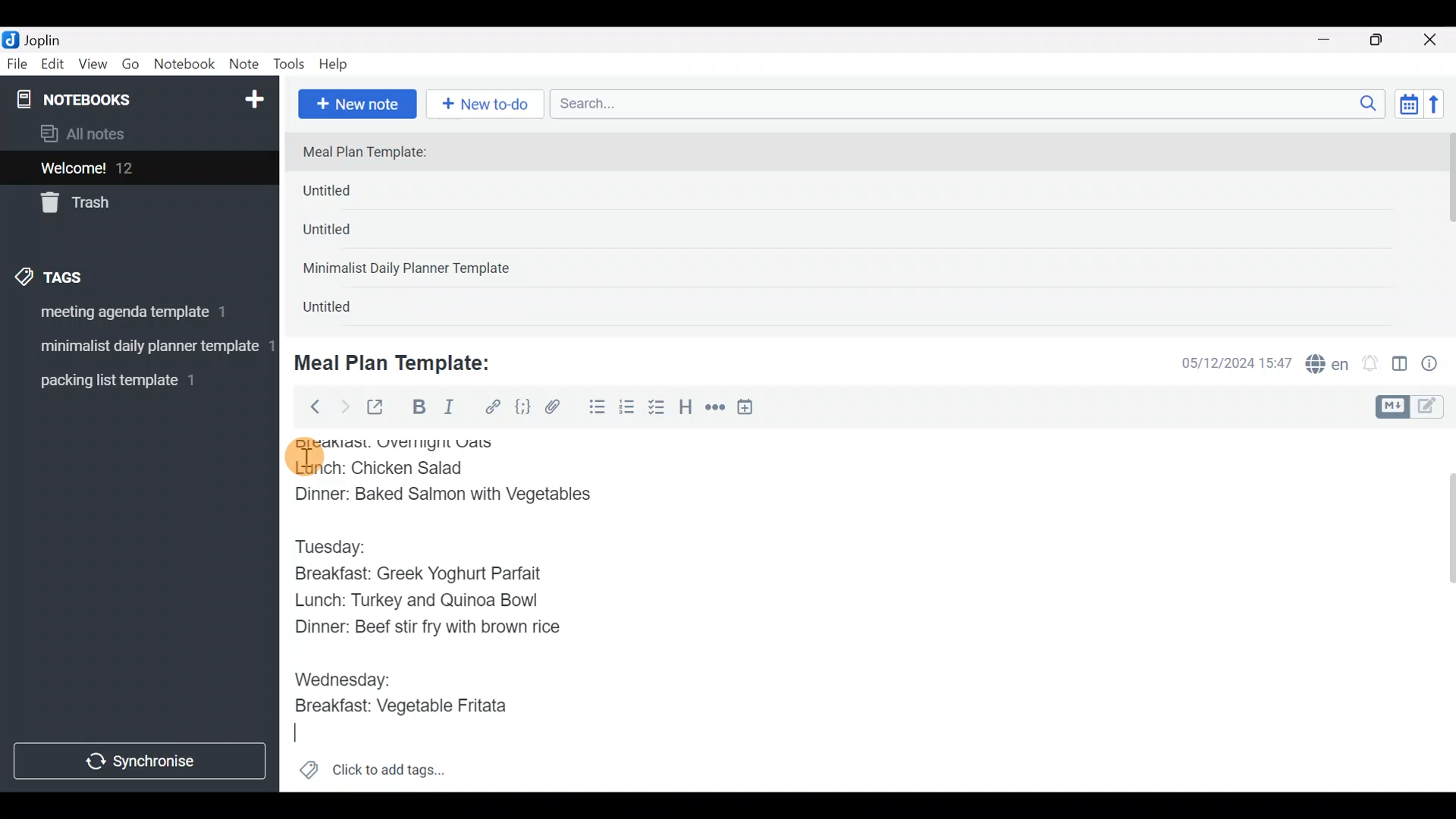 The height and width of the screenshot is (819, 1456). I want to click on All notes, so click(136, 135).